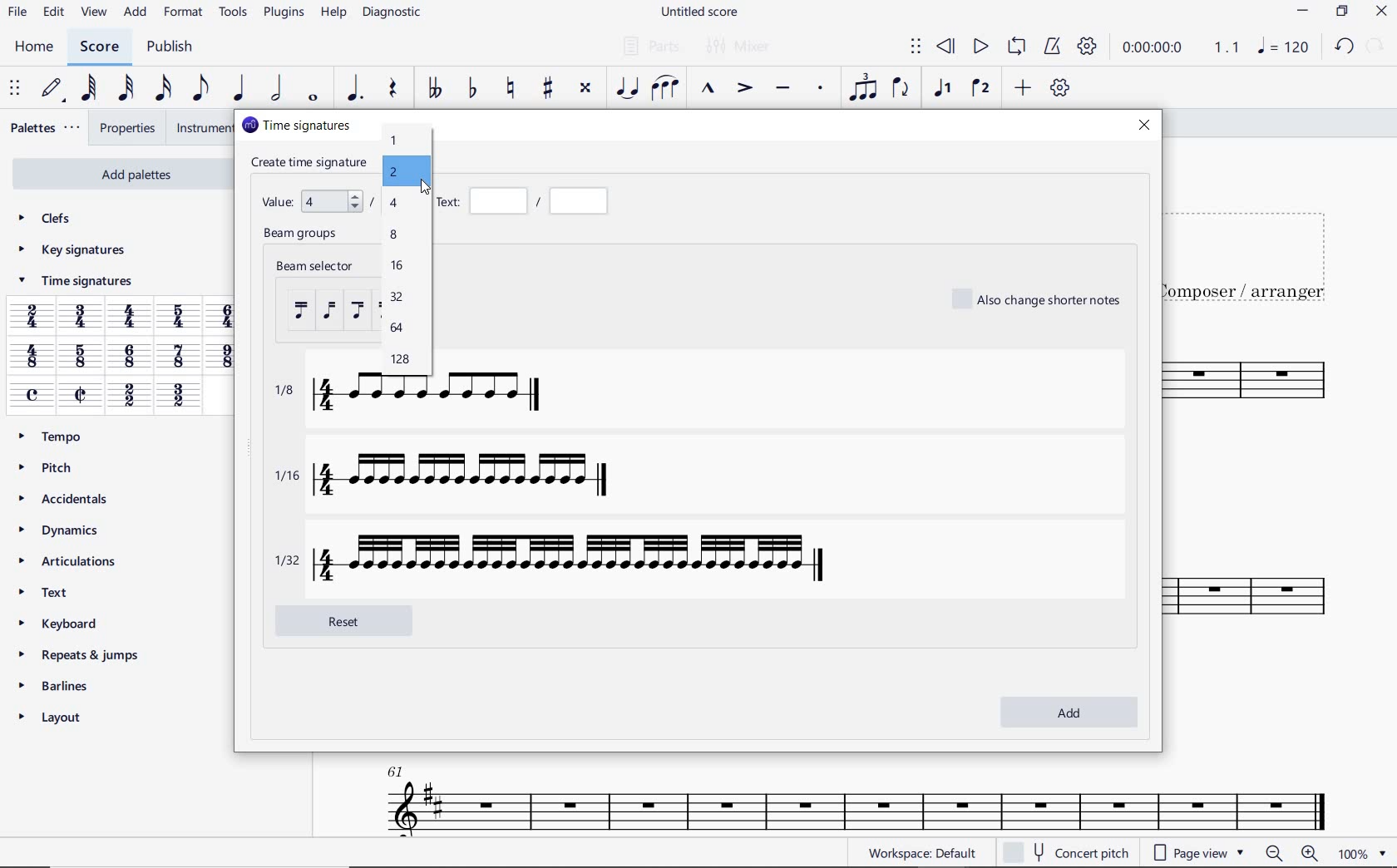  What do you see at coordinates (1360, 853) in the screenshot?
I see `zoom factor` at bounding box center [1360, 853].